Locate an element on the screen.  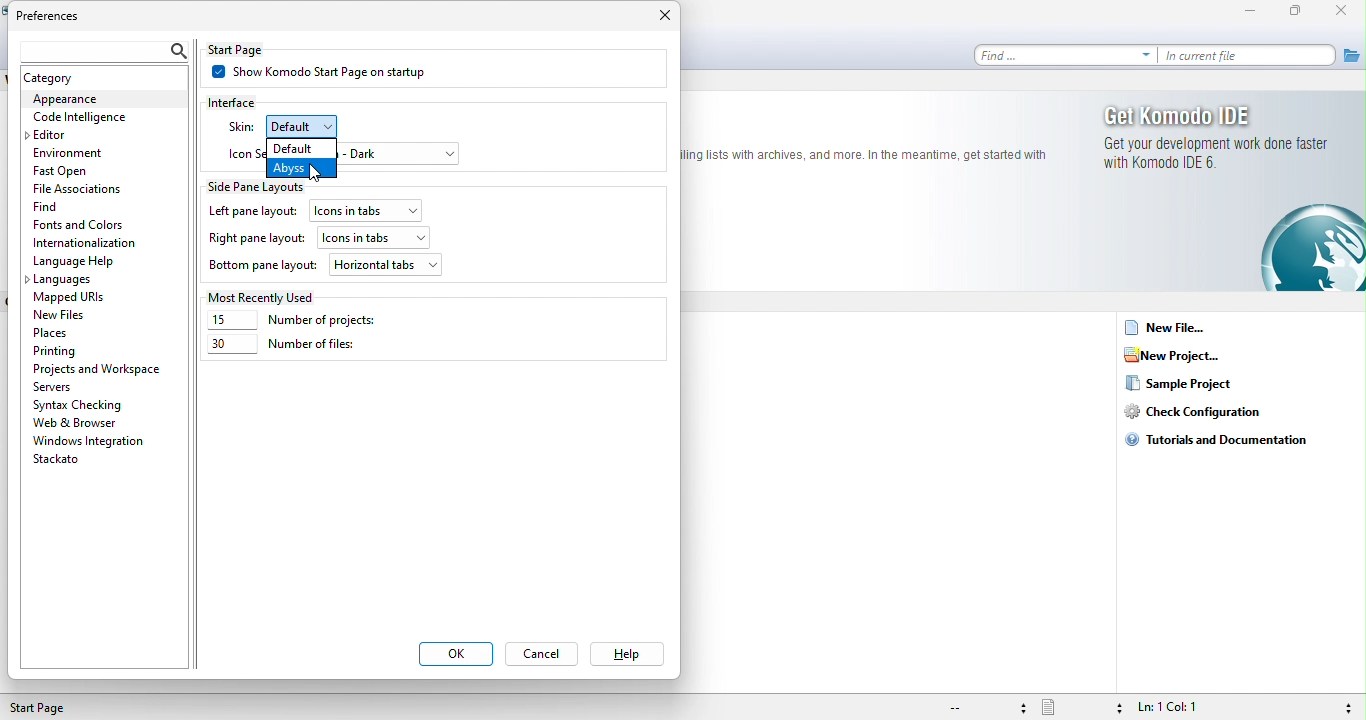
sample project is located at coordinates (1196, 385).